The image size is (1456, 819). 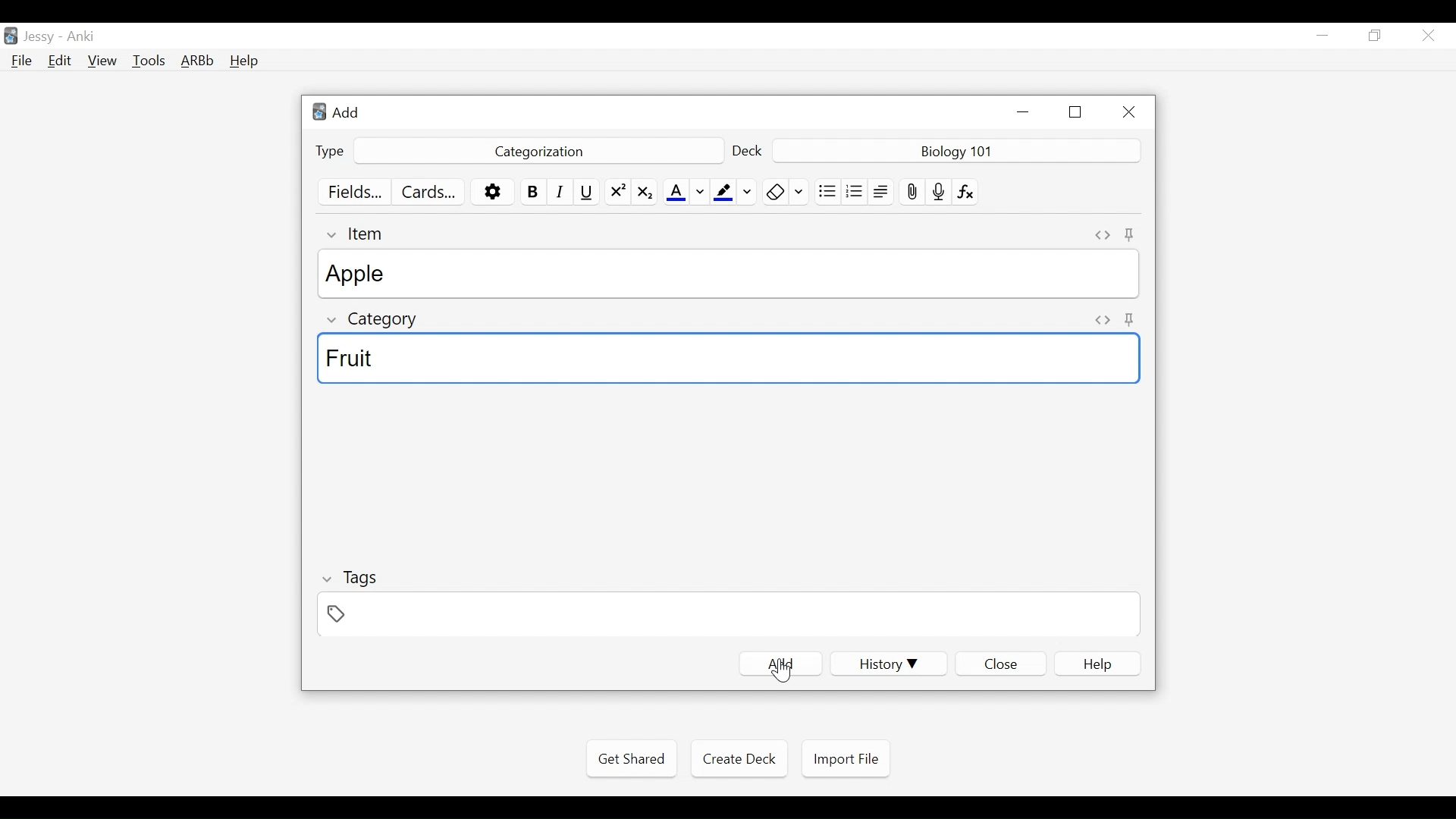 What do you see at coordinates (354, 191) in the screenshot?
I see `Customize Field` at bounding box center [354, 191].